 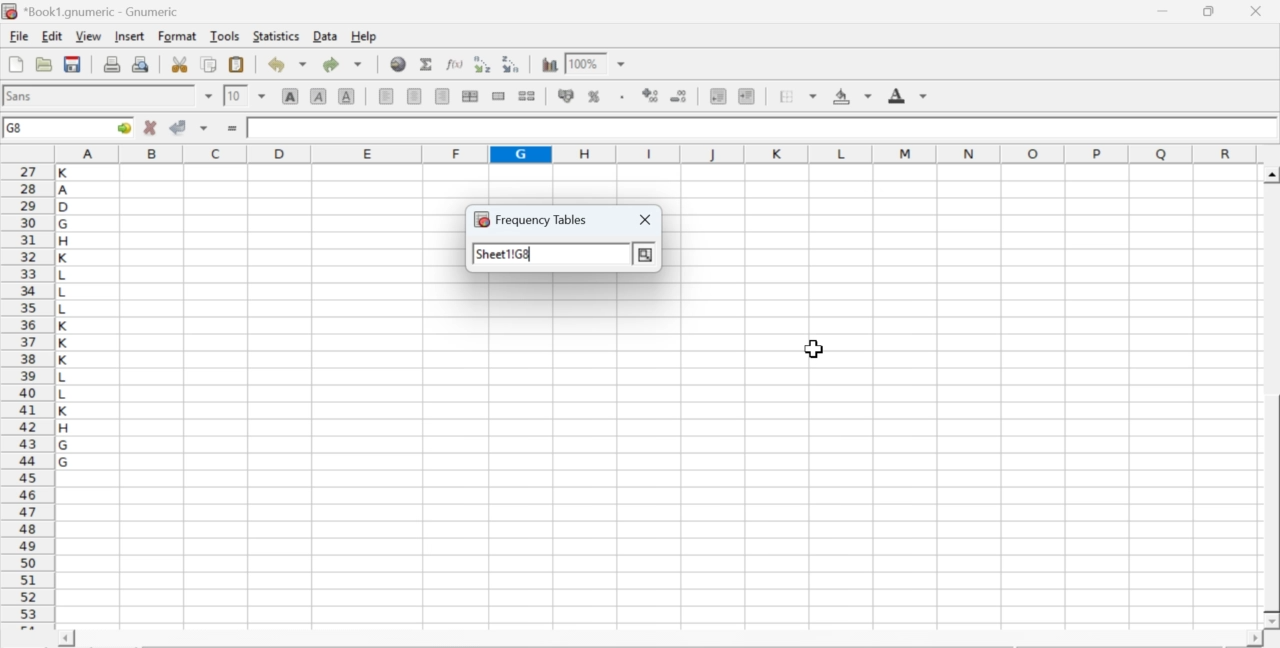 I want to click on view, so click(x=88, y=35).